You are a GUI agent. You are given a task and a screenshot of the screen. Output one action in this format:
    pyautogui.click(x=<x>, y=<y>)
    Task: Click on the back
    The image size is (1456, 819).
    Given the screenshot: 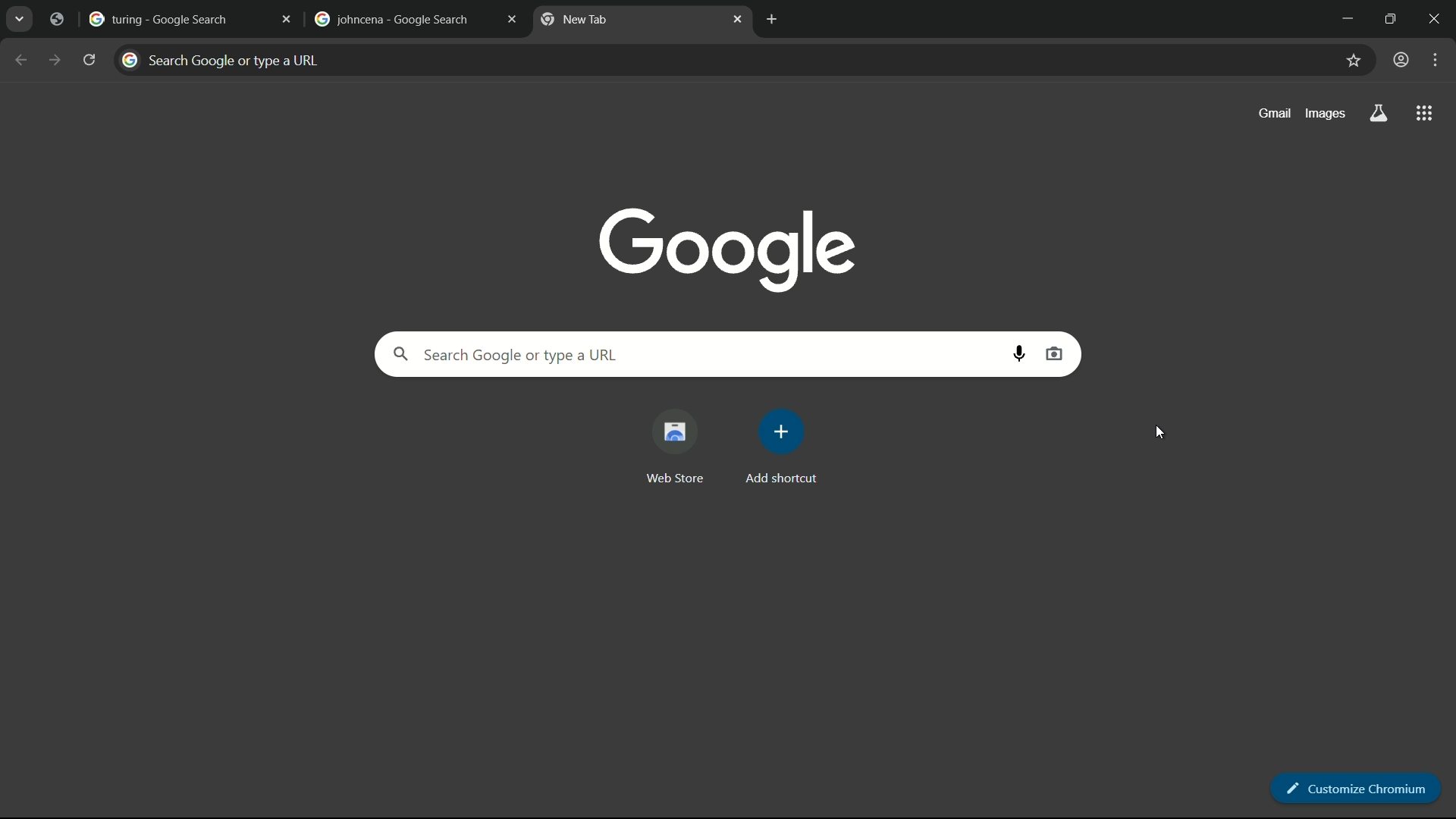 What is the action you would take?
    pyautogui.click(x=22, y=60)
    